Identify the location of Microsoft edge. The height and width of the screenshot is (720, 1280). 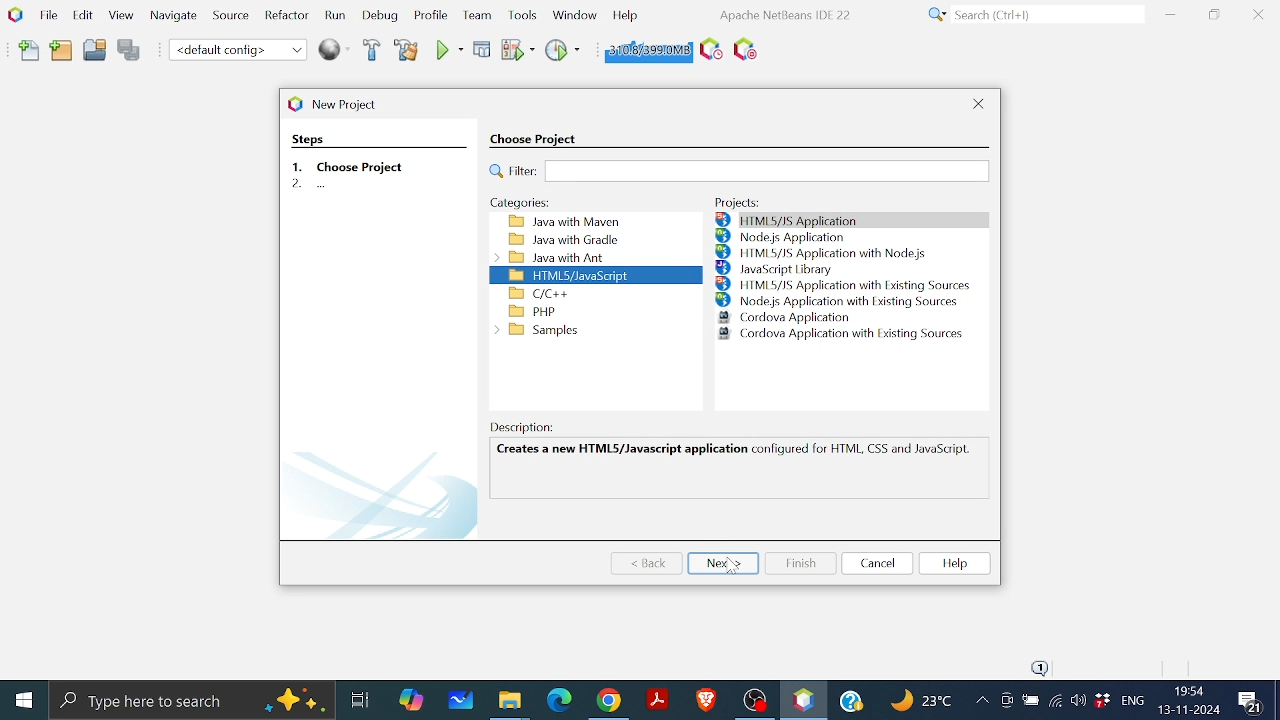
(557, 700).